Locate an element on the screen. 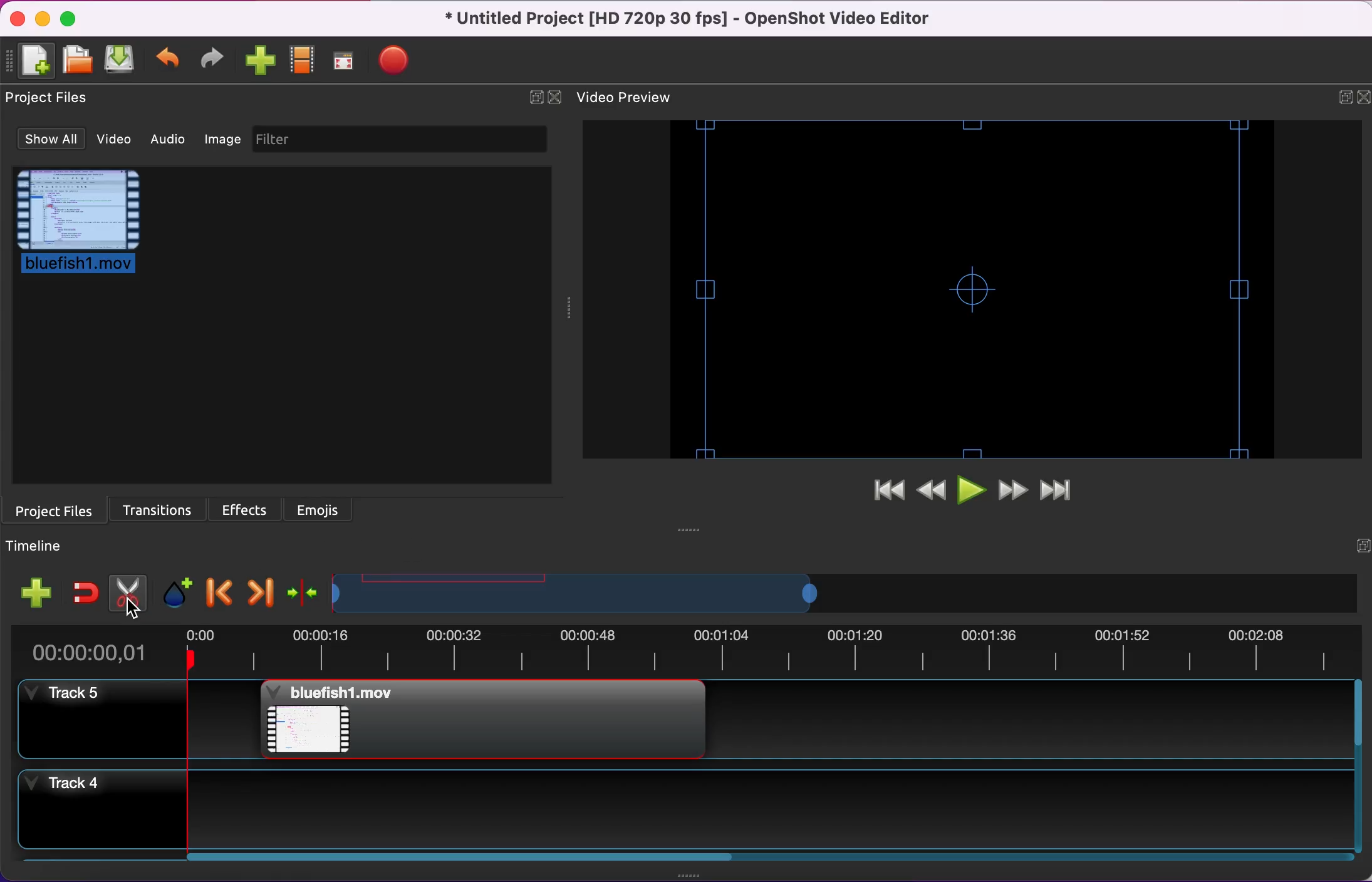  image is located at coordinates (224, 143).